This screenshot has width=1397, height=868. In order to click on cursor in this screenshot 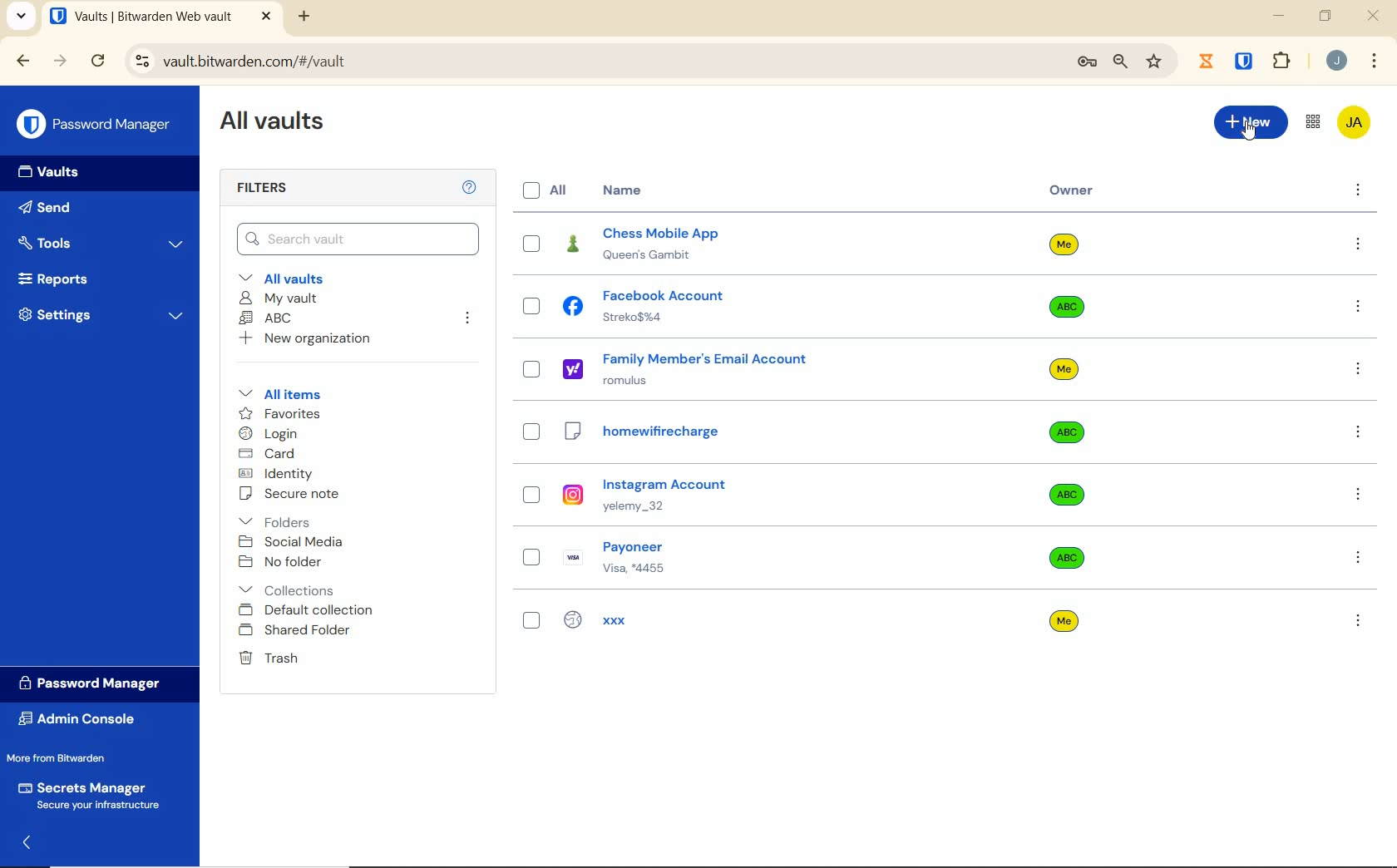, I will do `click(1250, 134)`.